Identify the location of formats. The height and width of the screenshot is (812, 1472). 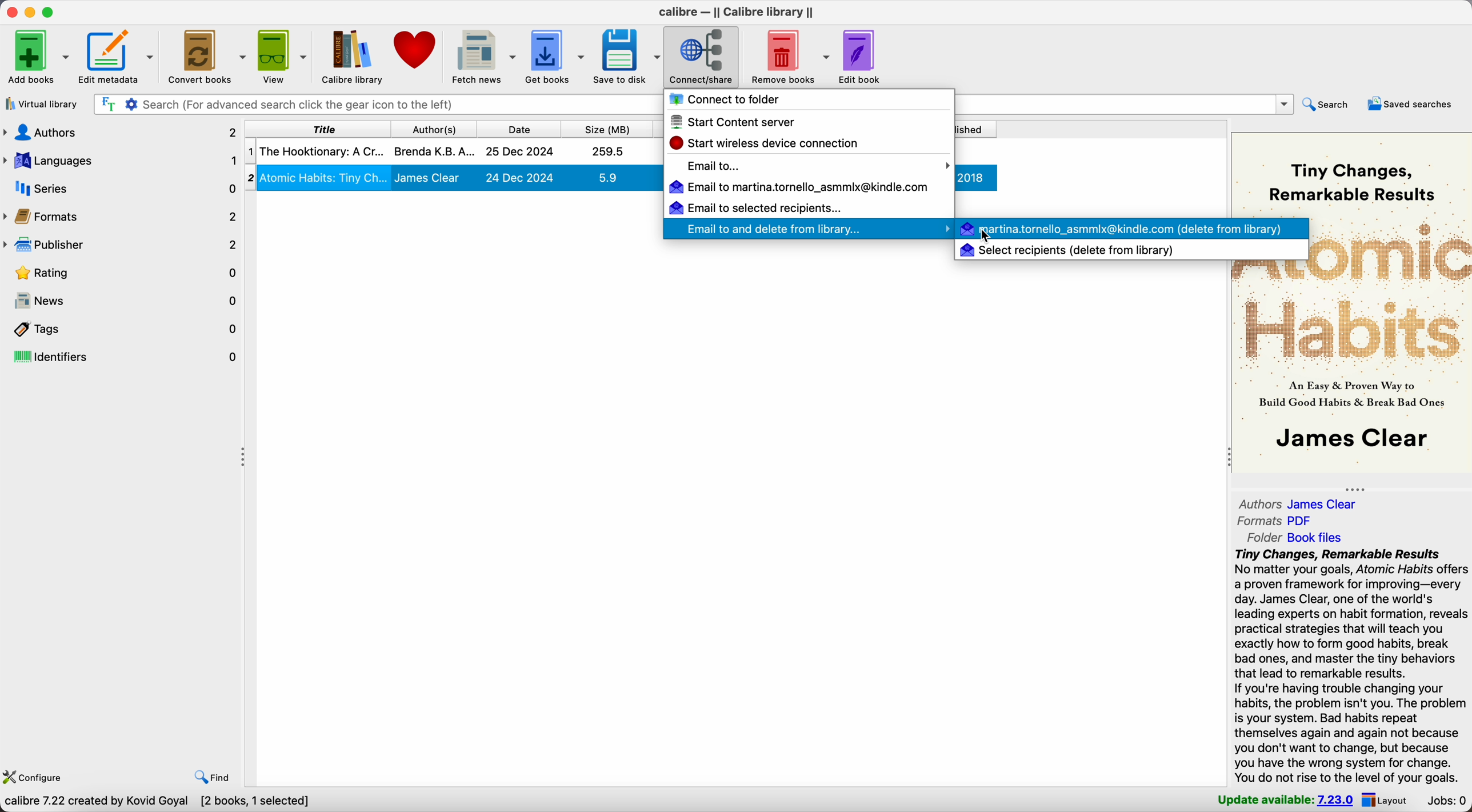
(122, 216).